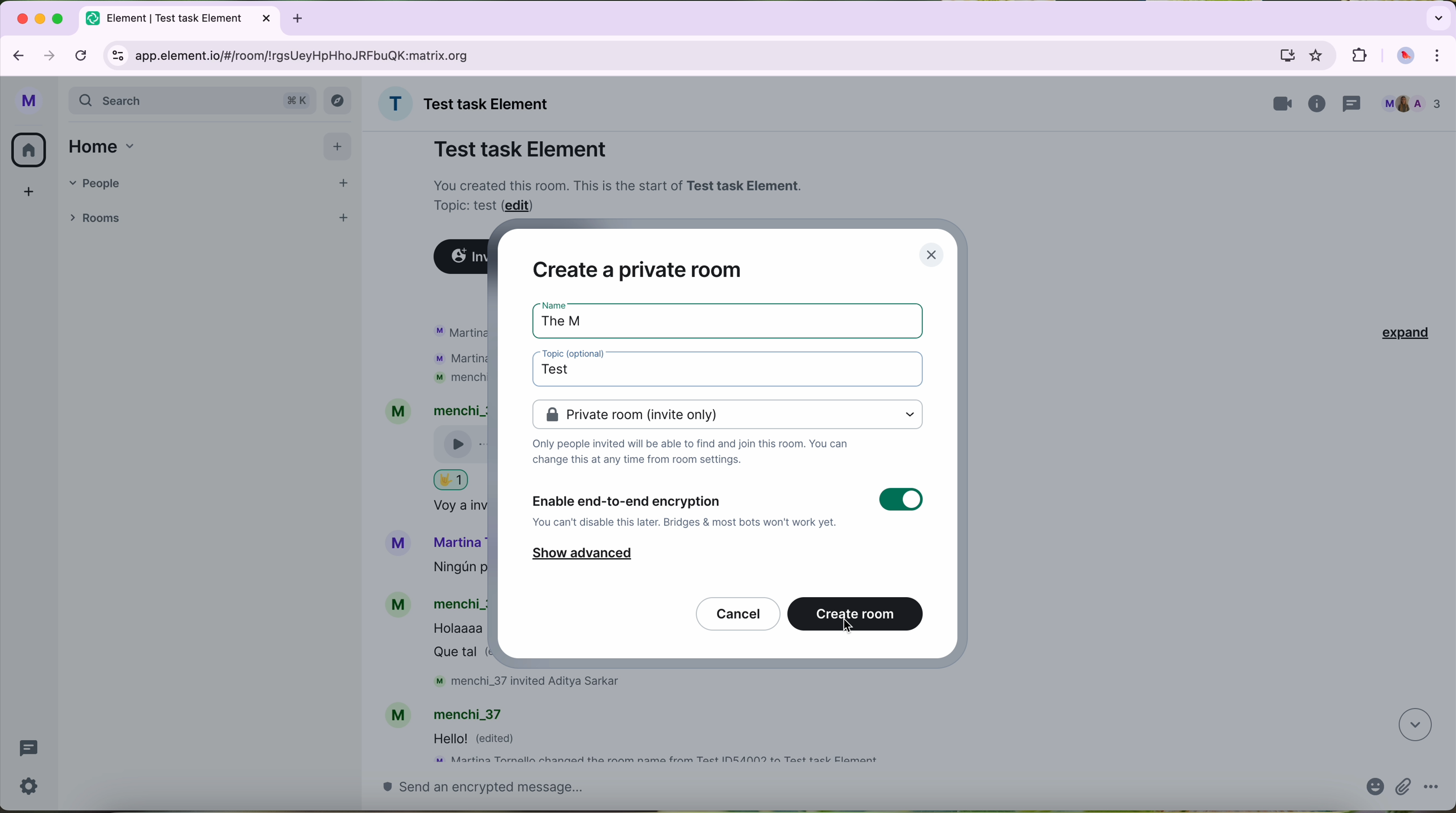 The height and width of the screenshot is (813, 1456). Describe the element at coordinates (98, 216) in the screenshot. I see `rooms tab` at that location.